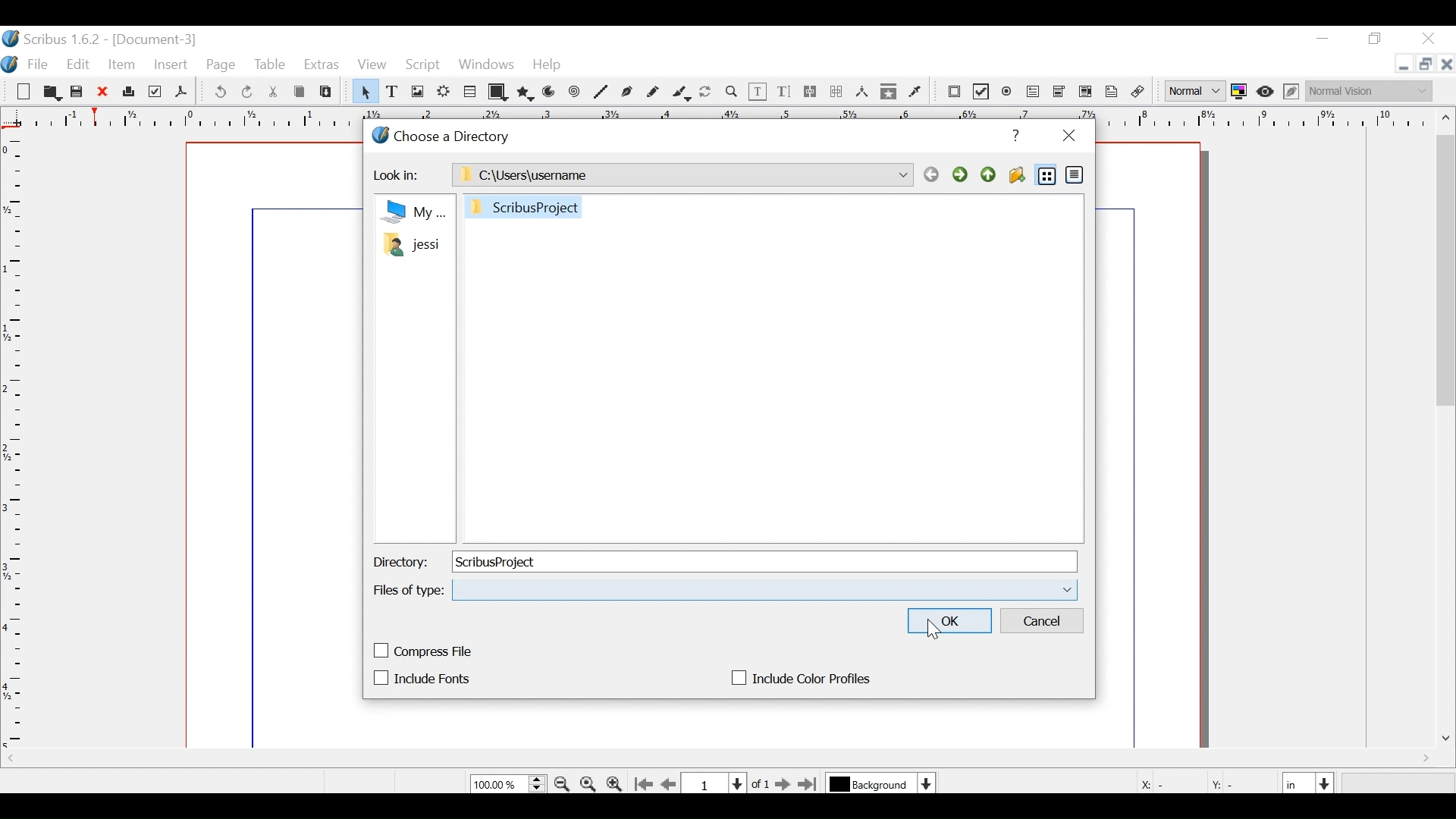 The height and width of the screenshot is (819, 1456). What do you see at coordinates (1298, 782) in the screenshot?
I see `Select the current width` at bounding box center [1298, 782].